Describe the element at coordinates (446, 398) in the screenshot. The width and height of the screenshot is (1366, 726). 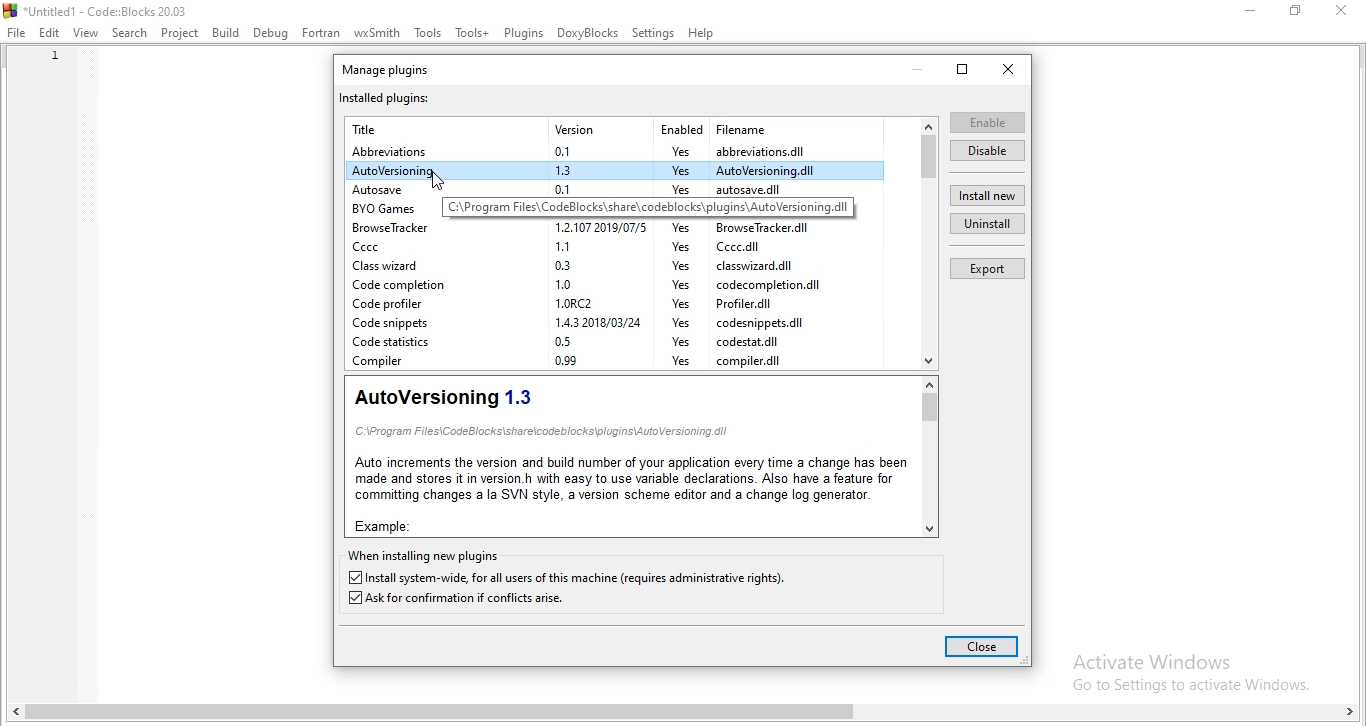
I see `AutoVersioning 1.3` at that location.